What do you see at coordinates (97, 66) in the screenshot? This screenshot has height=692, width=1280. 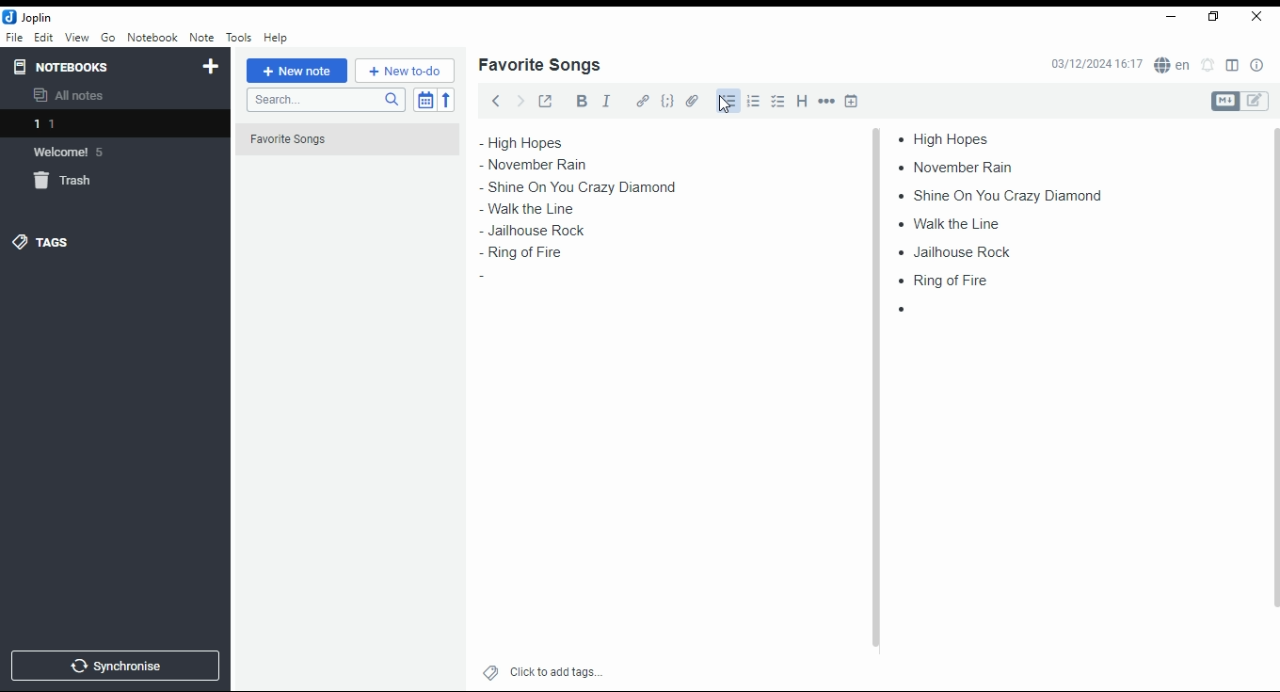 I see `notebooks` at bounding box center [97, 66].